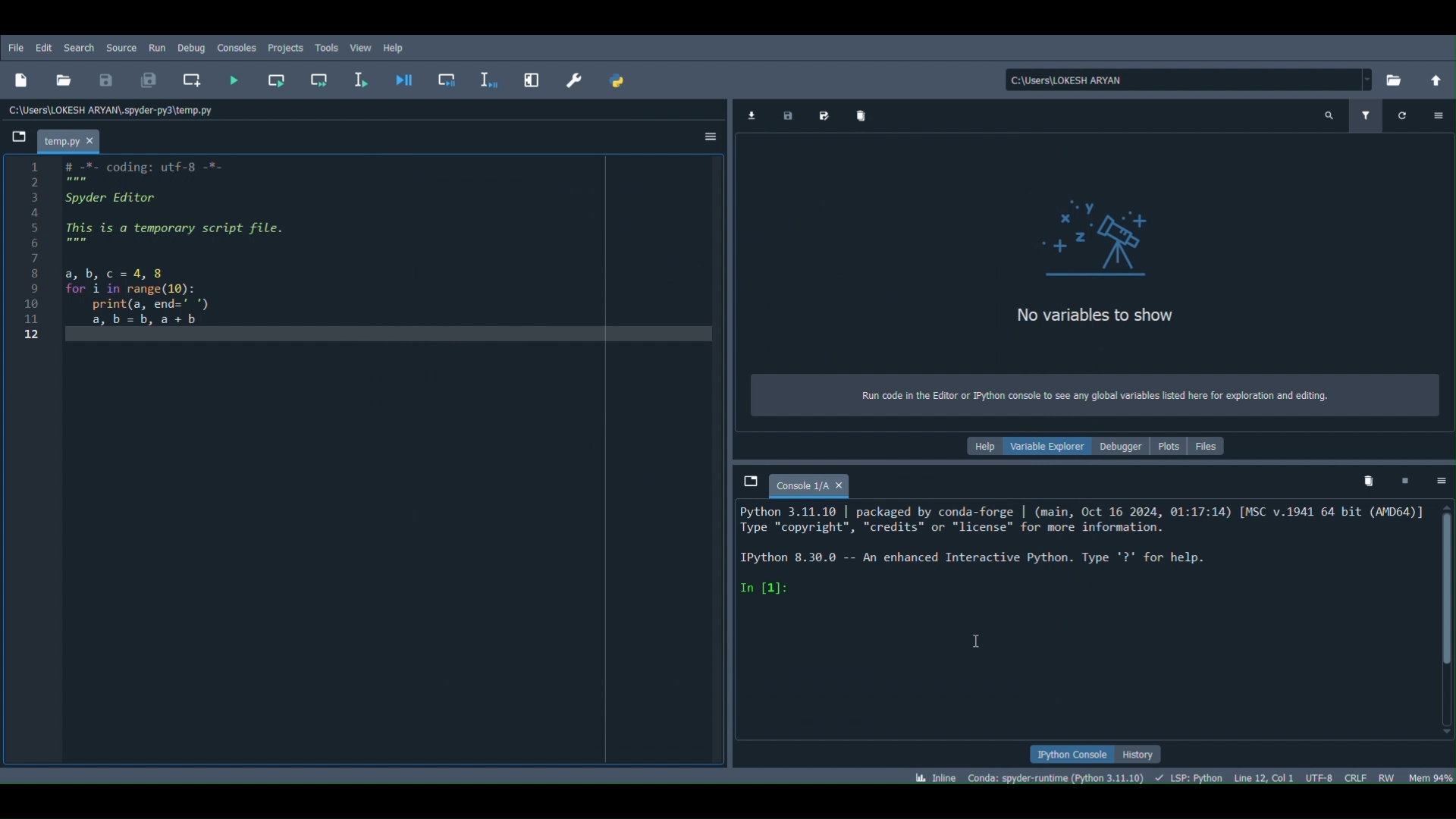 This screenshot has height=819, width=1456. I want to click on Search, so click(78, 44).